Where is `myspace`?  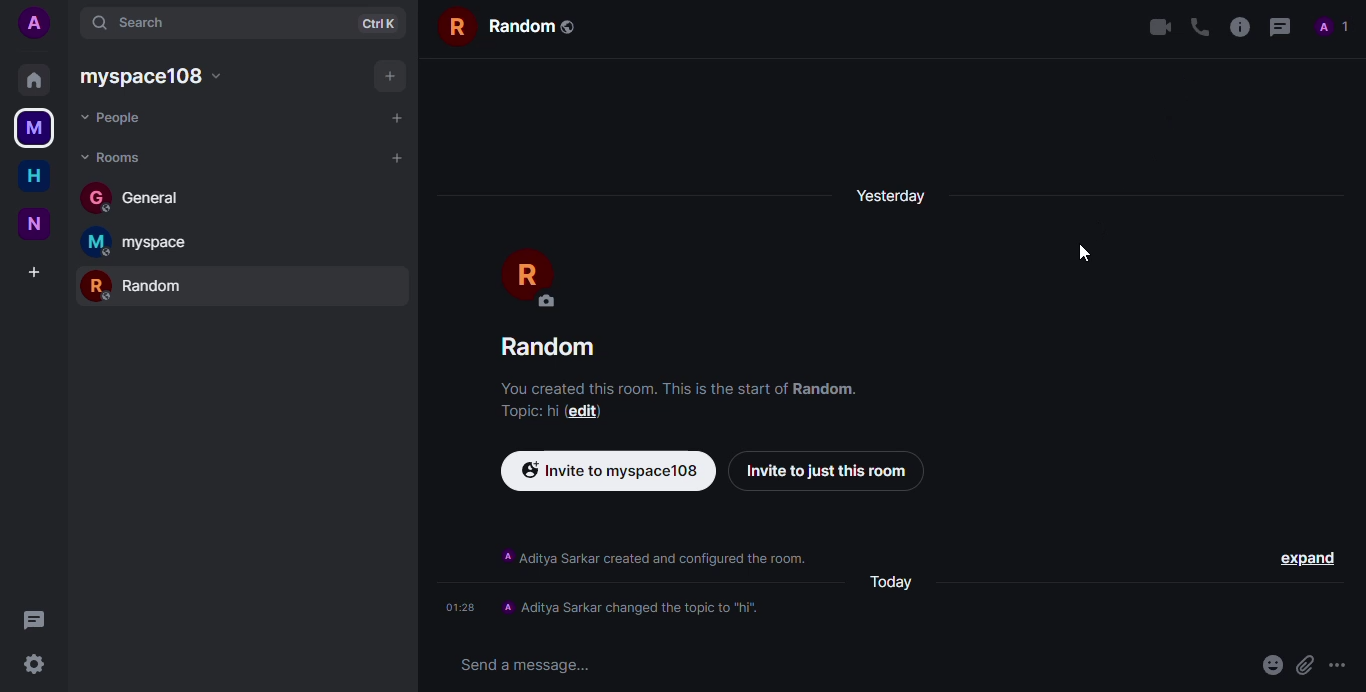
myspace is located at coordinates (33, 129).